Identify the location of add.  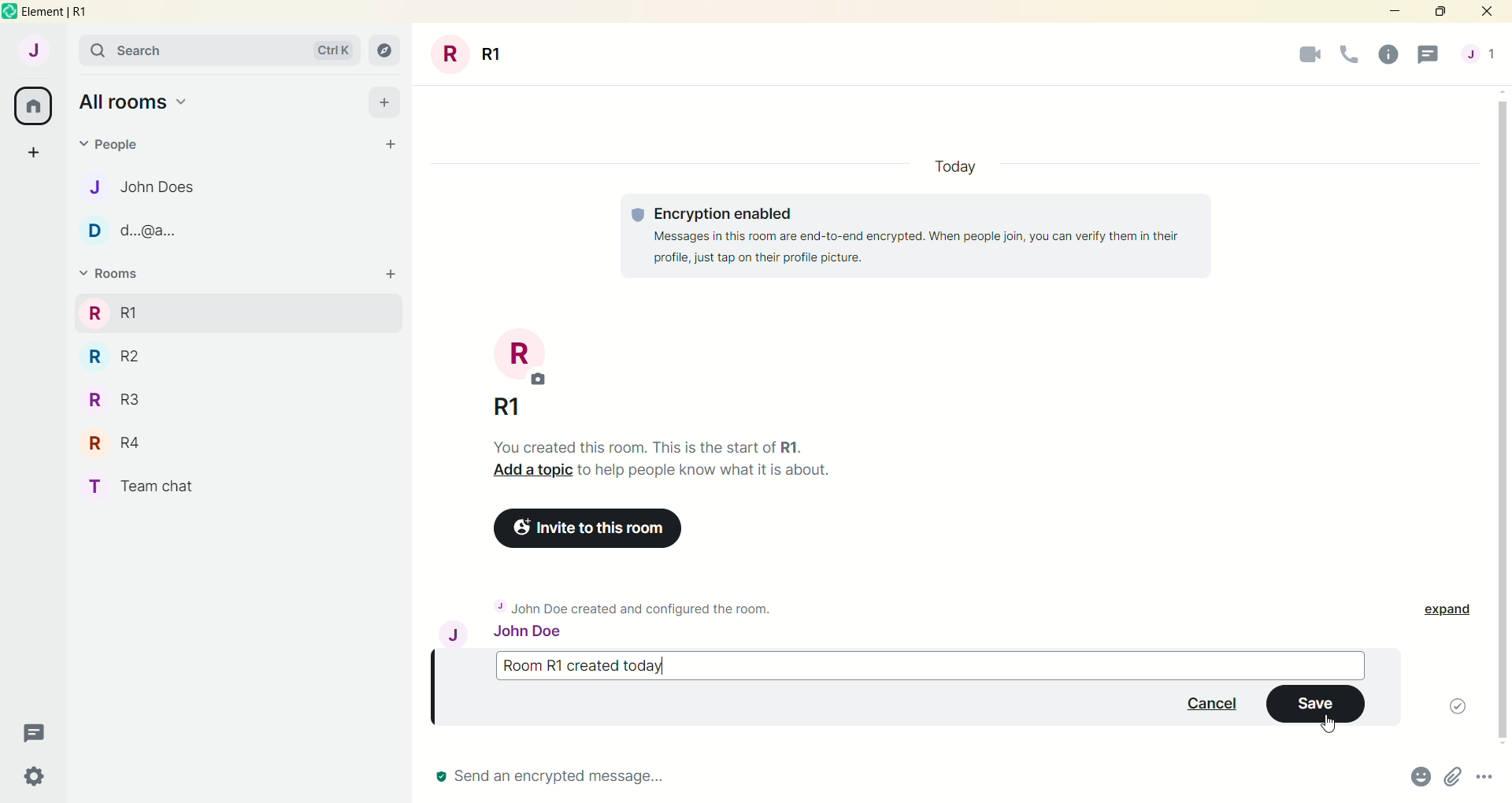
(389, 274).